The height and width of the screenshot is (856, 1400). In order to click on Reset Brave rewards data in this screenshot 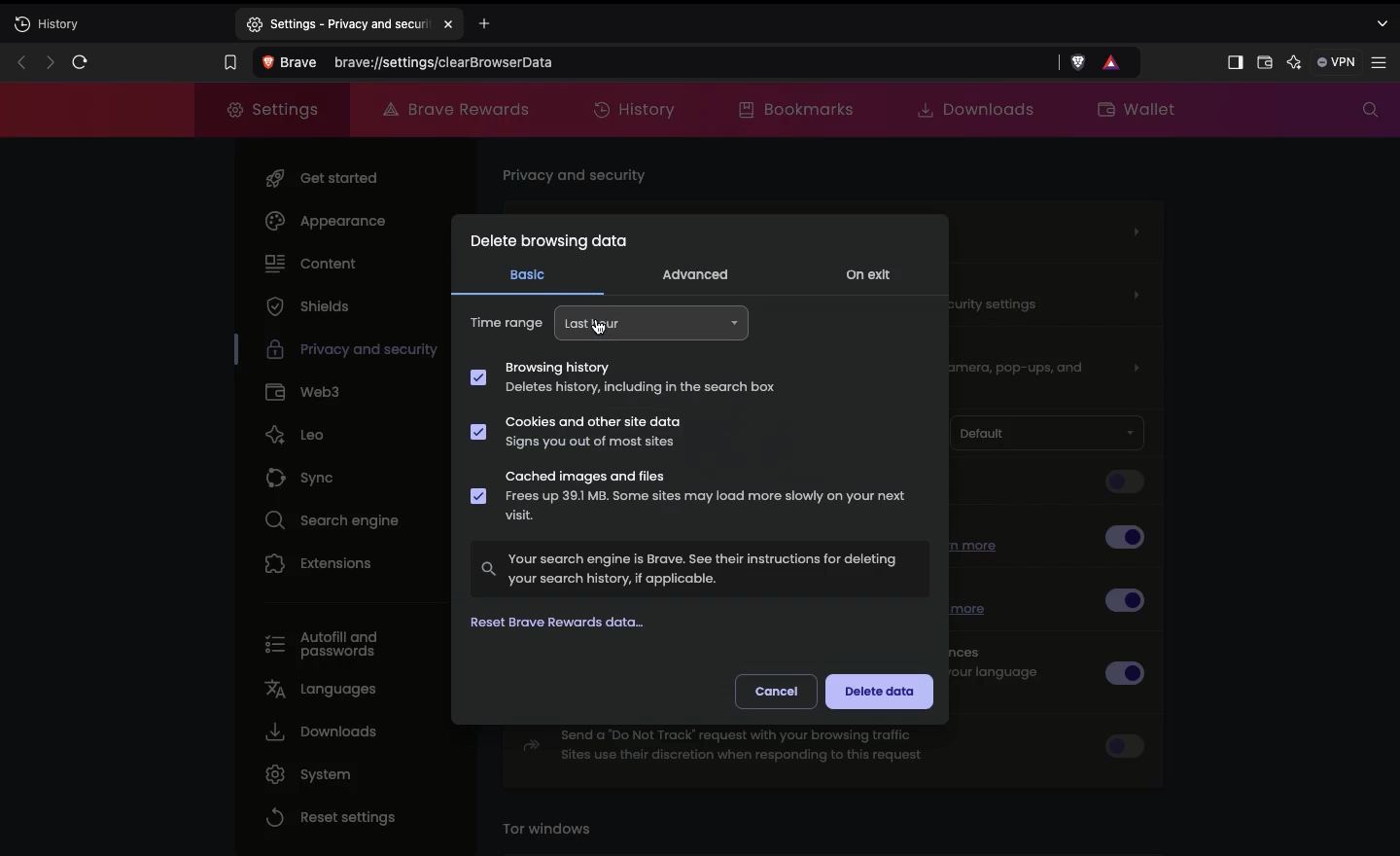, I will do `click(568, 624)`.